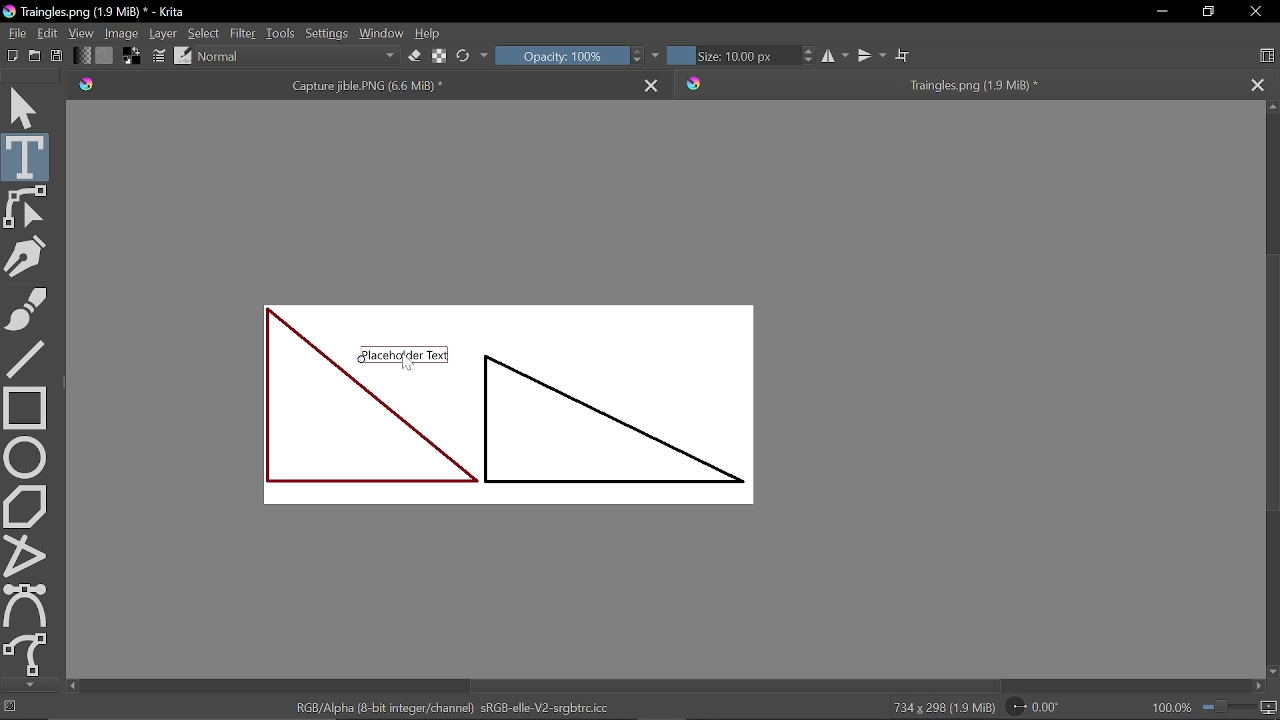  I want to click on Wrap around mode, so click(902, 55).